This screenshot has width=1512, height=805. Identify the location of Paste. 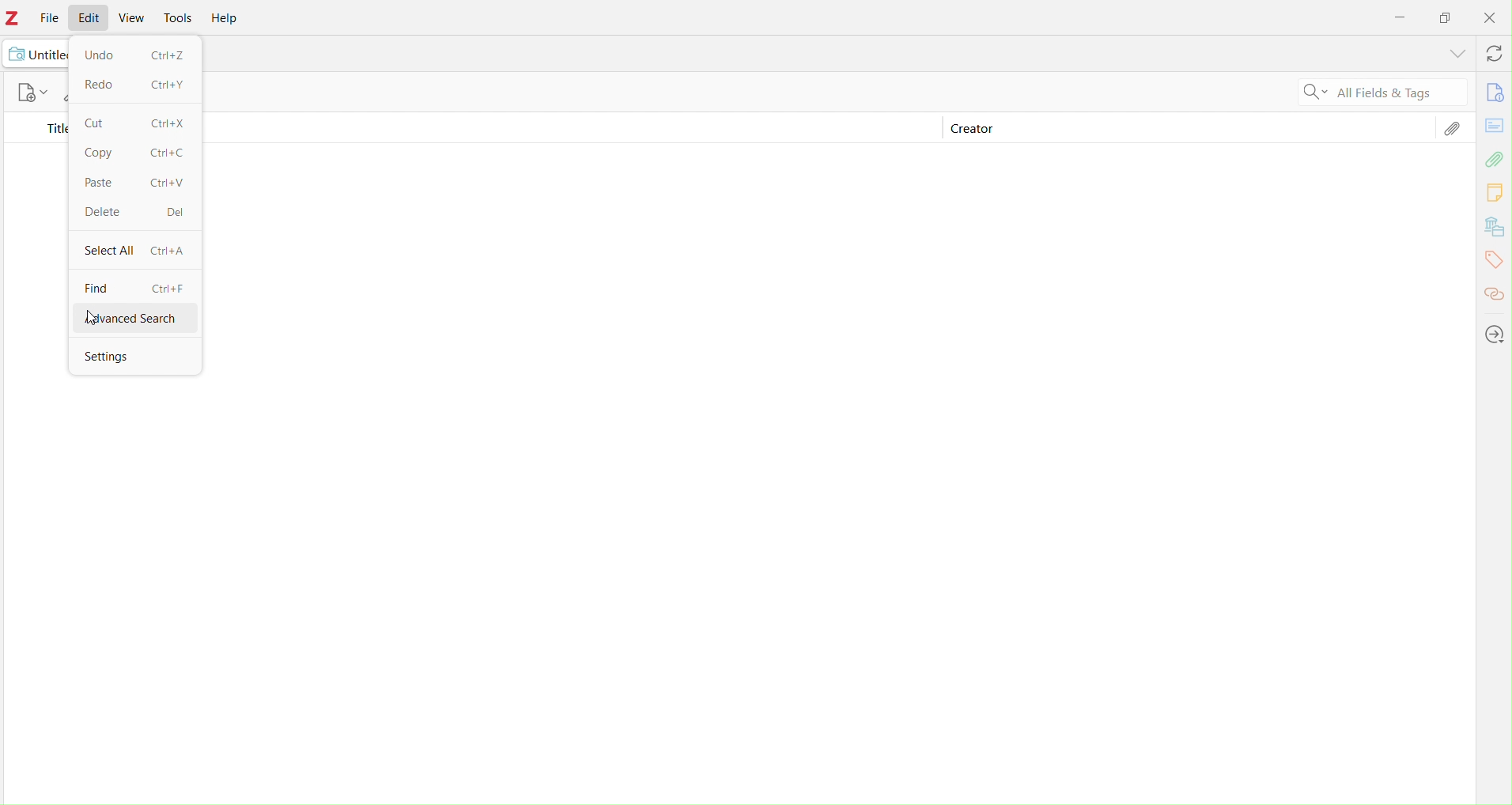
(136, 184).